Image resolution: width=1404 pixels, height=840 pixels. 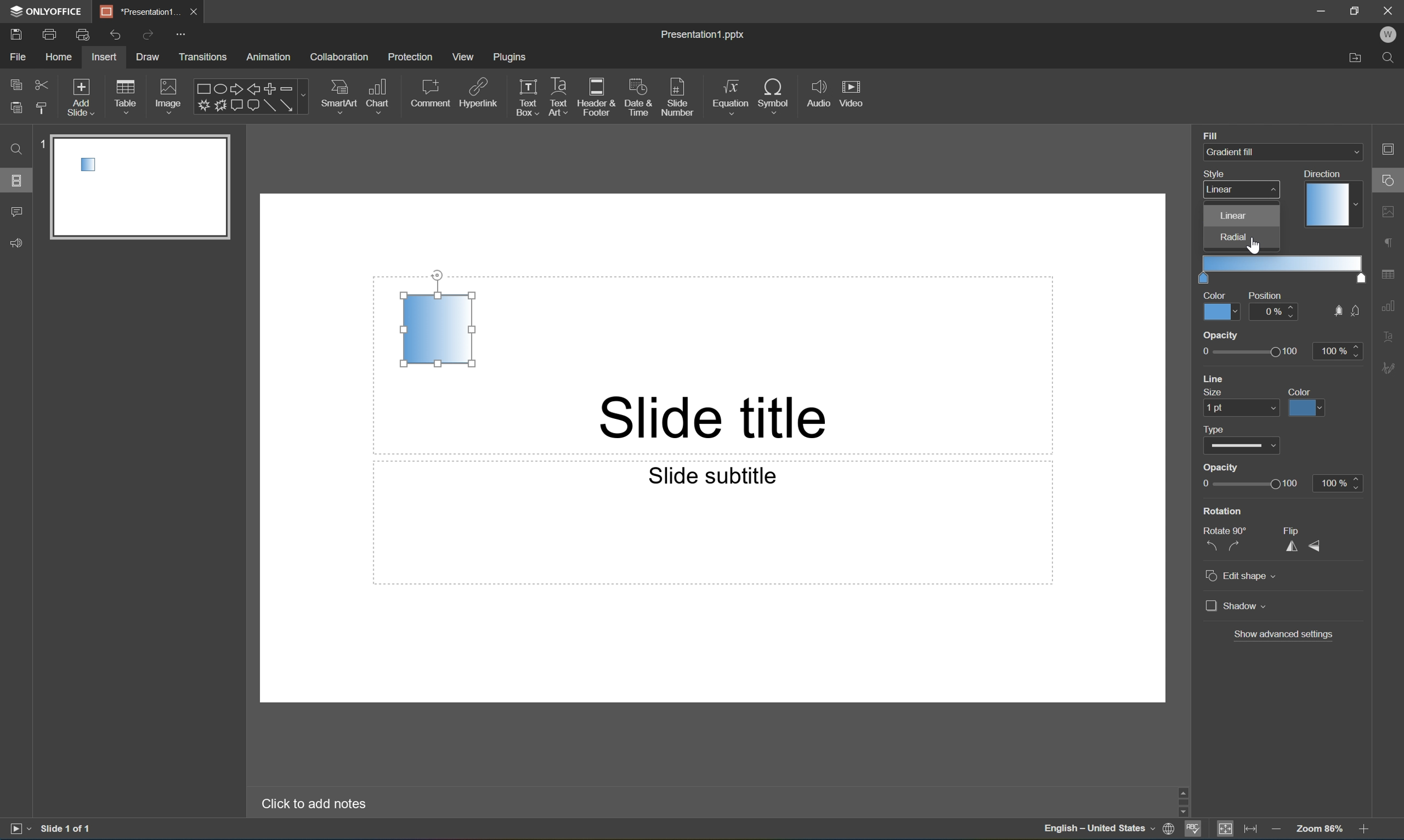 What do you see at coordinates (1242, 578) in the screenshot?
I see `Edit shape` at bounding box center [1242, 578].